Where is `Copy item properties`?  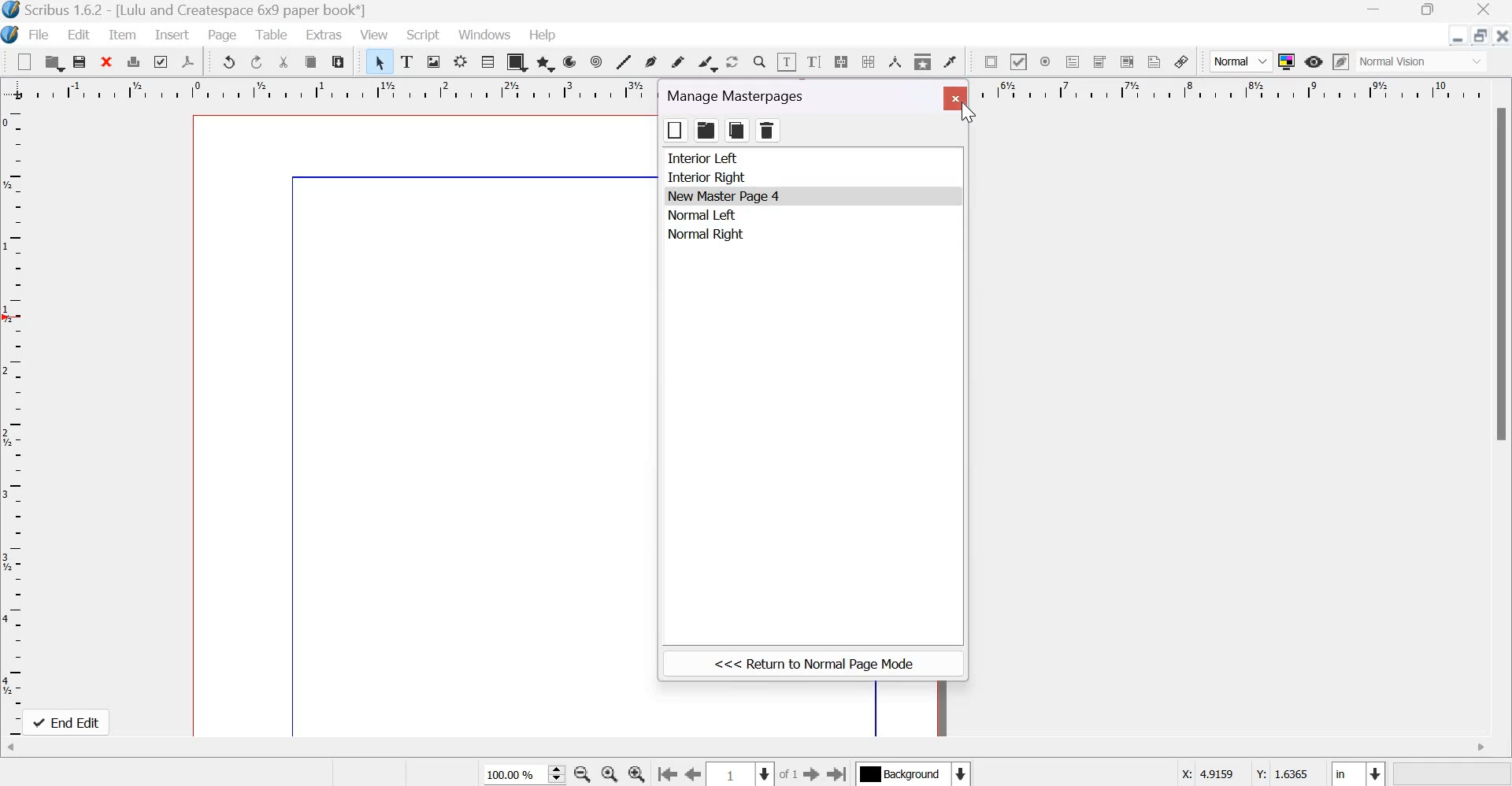
Copy item properties is located at coordinates (923, 61).